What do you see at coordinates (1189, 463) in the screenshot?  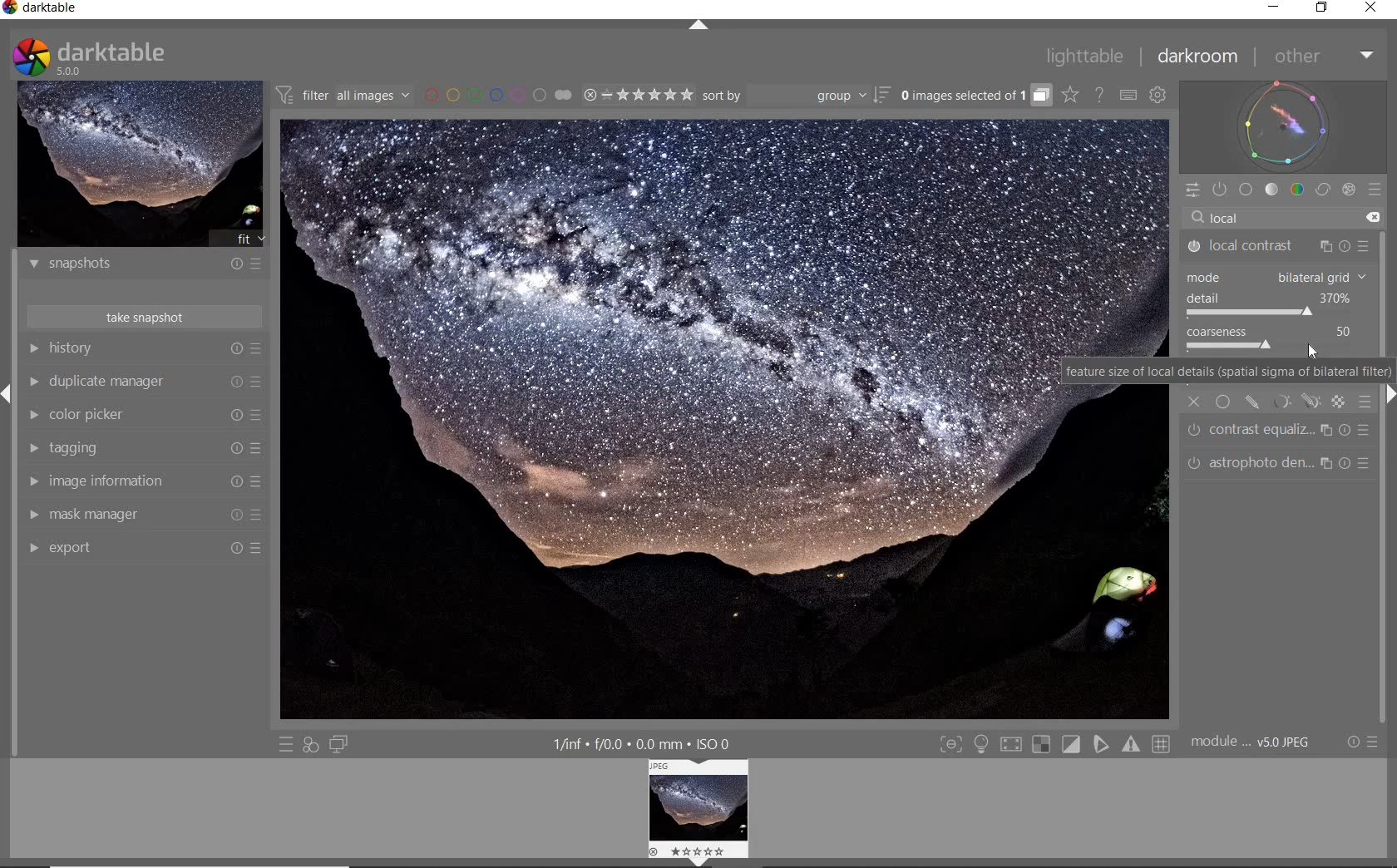 I see `Switched off` at bounding box center [1189, 463].